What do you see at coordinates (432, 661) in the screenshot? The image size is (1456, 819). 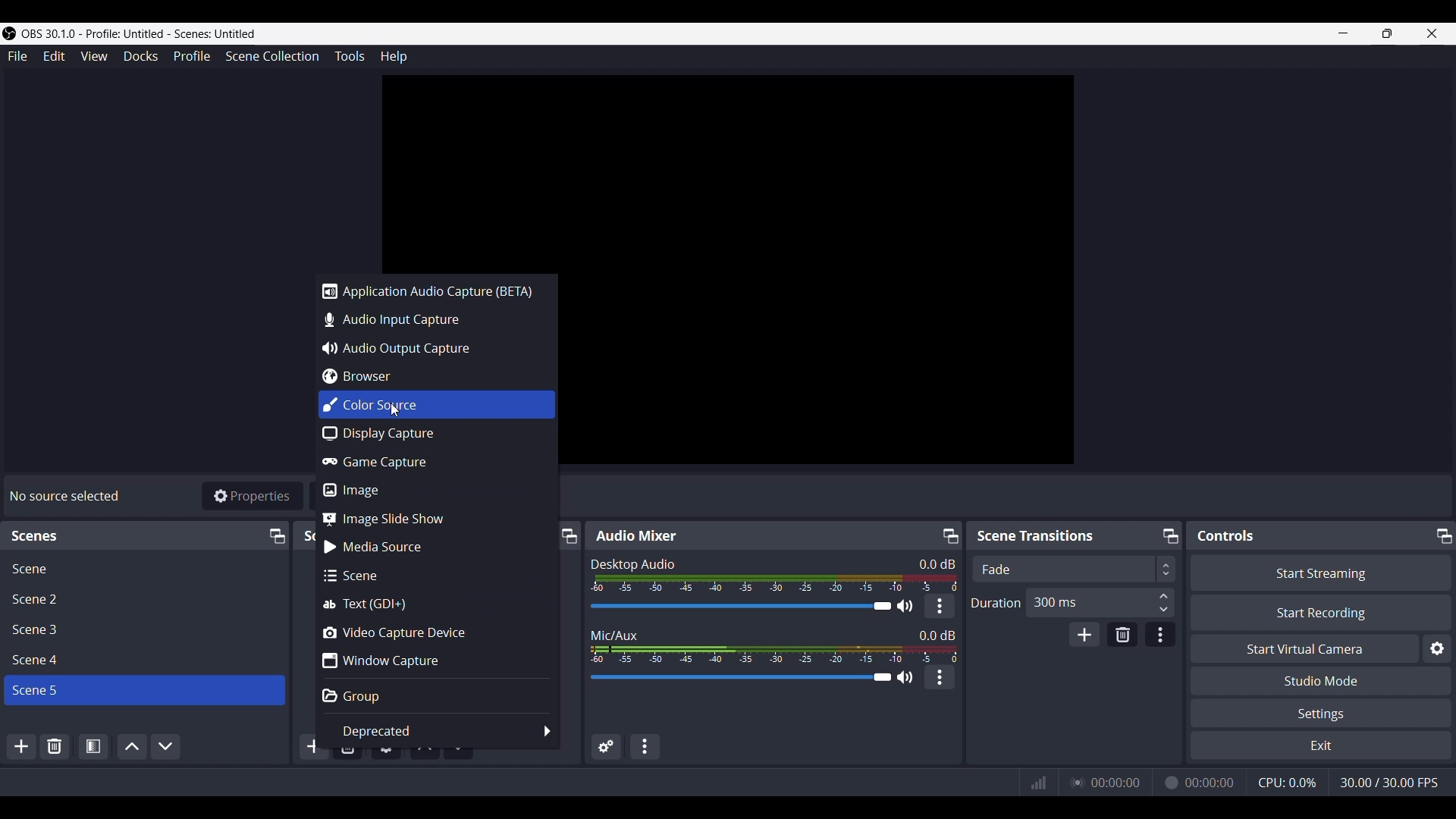 I see `Window capture` at bounding box center [432, 661].